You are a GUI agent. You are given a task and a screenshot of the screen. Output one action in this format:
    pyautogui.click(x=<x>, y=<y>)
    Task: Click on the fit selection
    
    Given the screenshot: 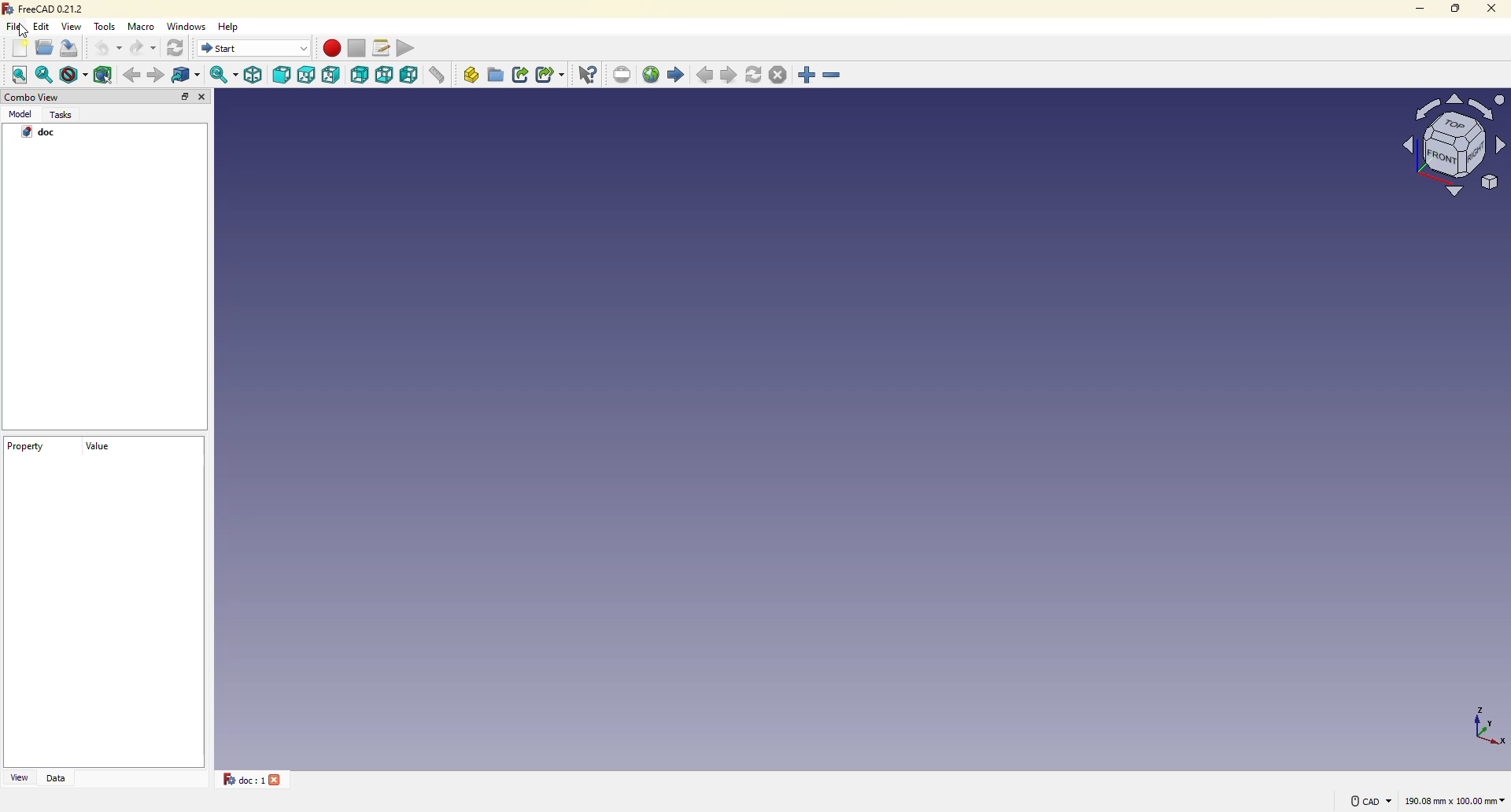 What is the action you would take?
    pyautogui.click(x=46, y=74)
    